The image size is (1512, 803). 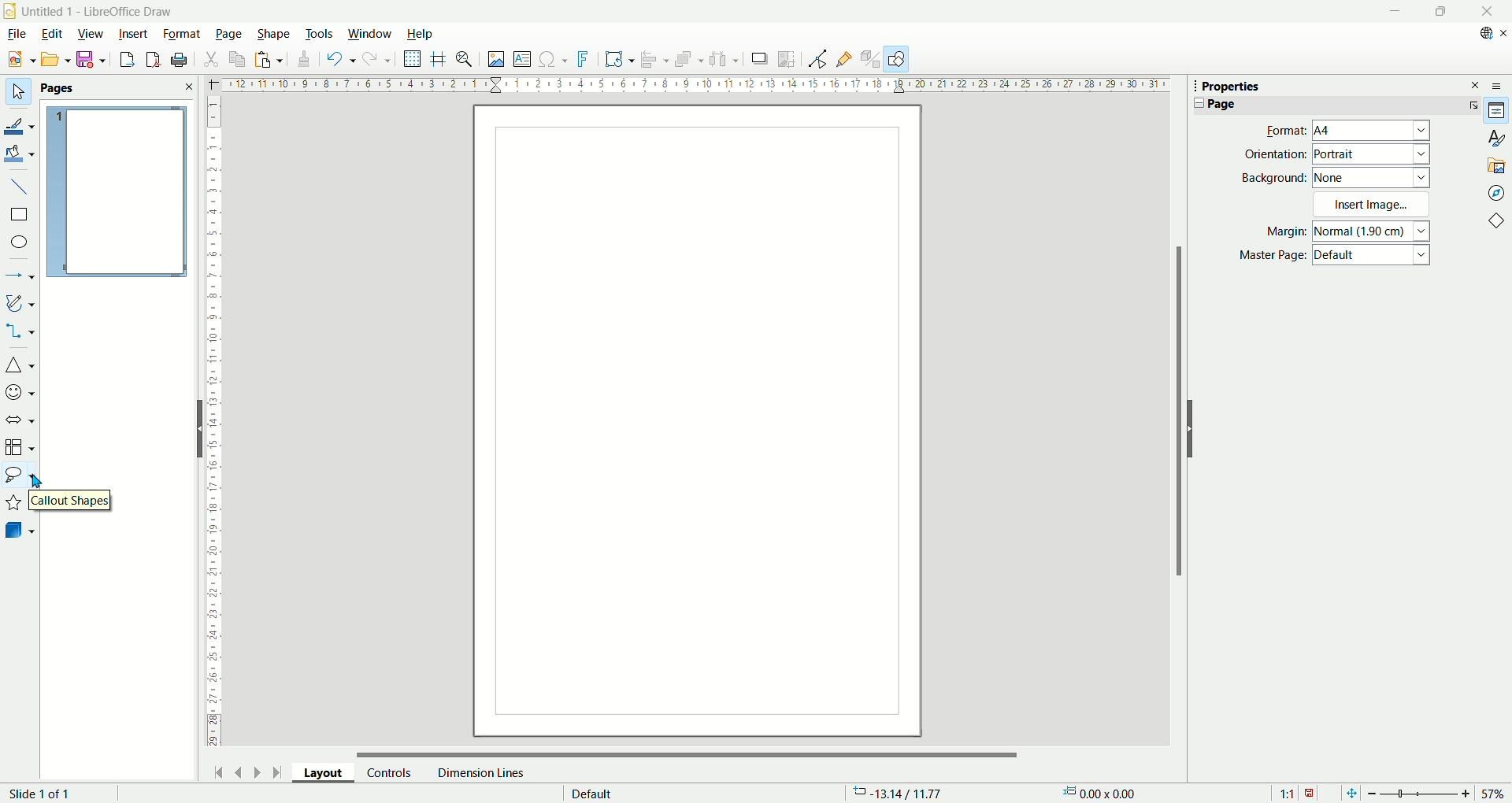 I want to click on Navigator, so click(x=1496, y=192).